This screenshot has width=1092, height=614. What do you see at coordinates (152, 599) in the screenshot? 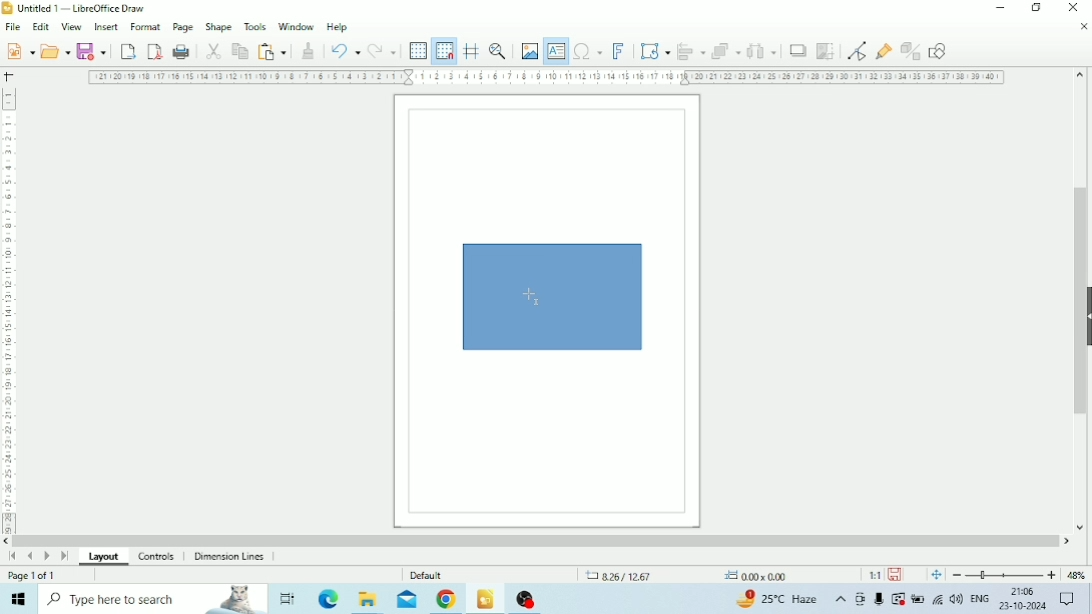
I see `Type here to search` at bounding box center [152, 599].